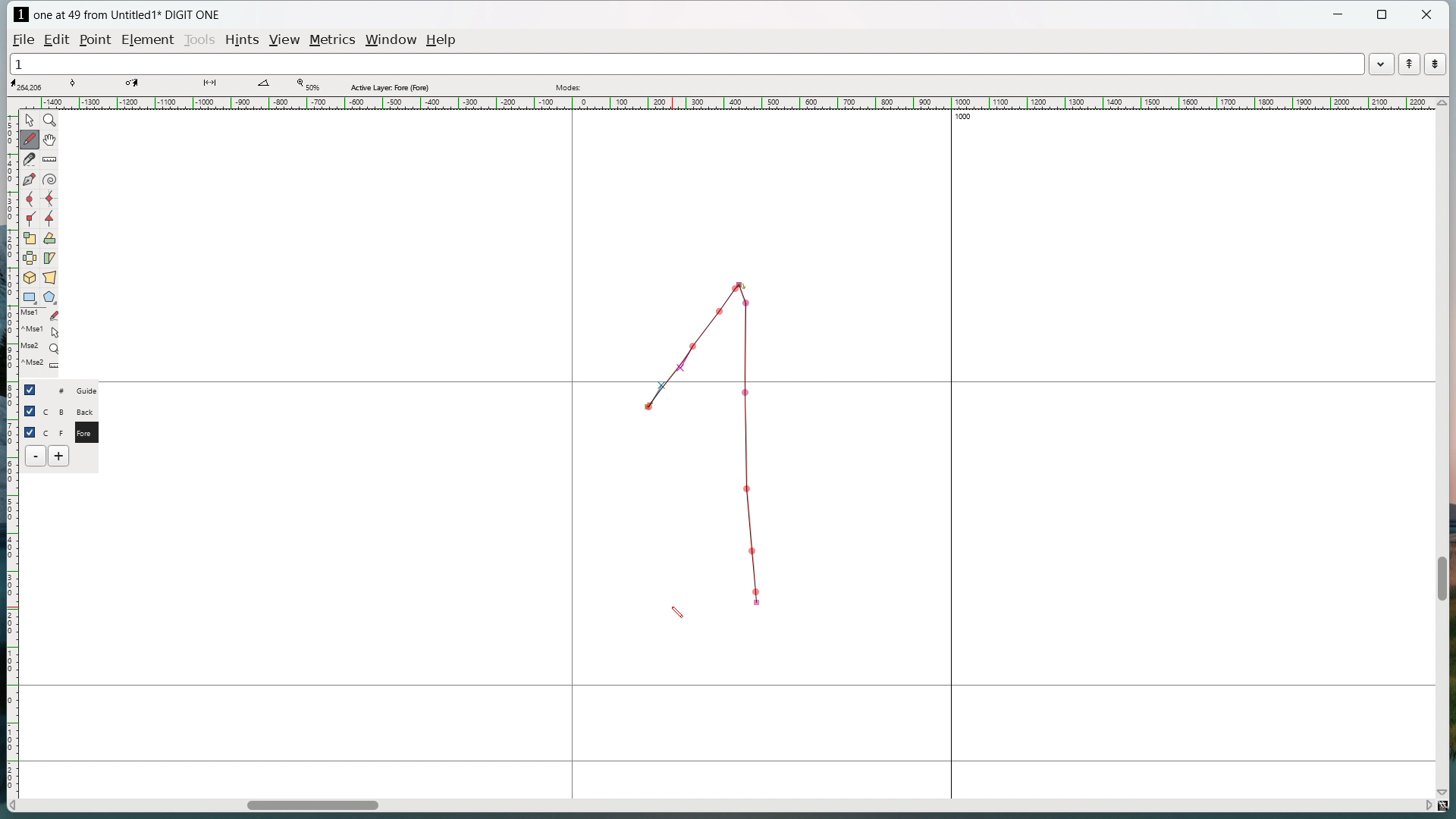  What do you see at coordinates (442, 40) in the screenshot?
I see `help` at bounding box center [442, 40].